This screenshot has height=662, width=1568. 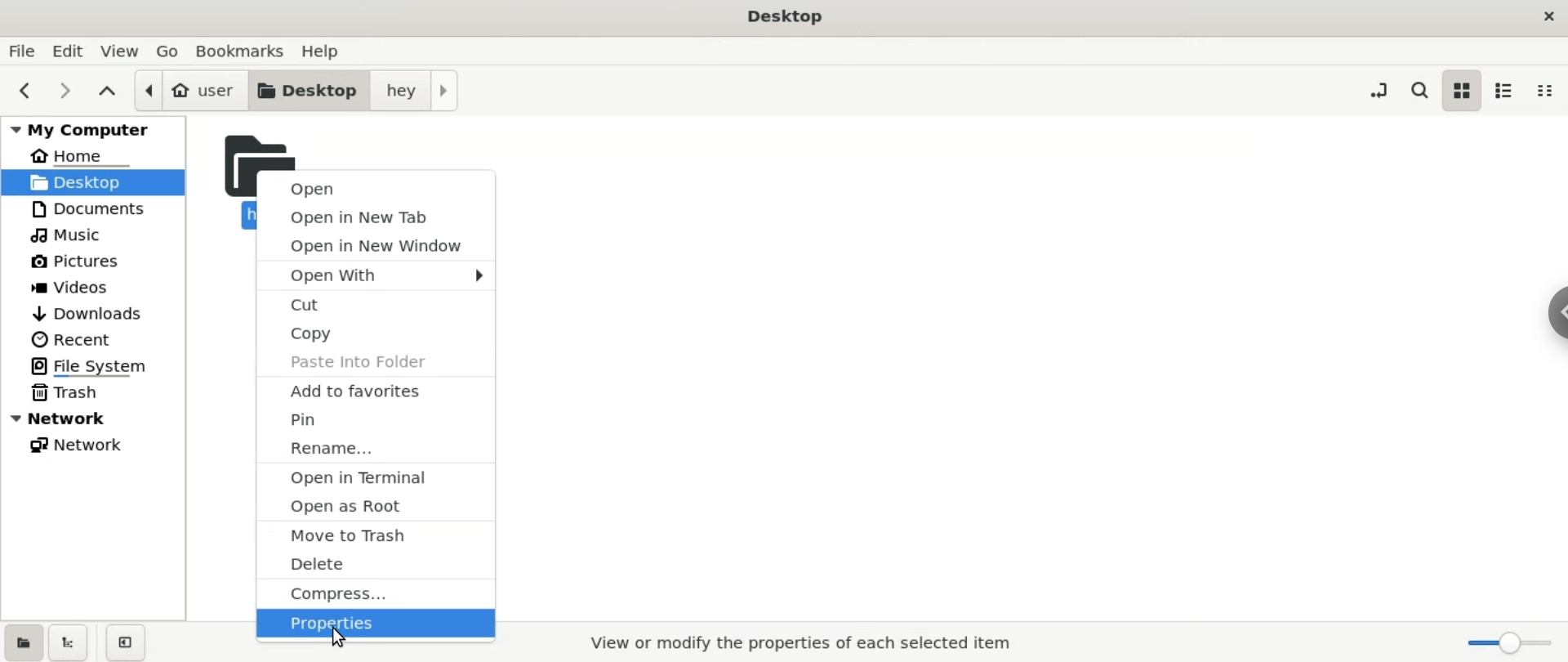 What do you see at coordinates (186, 89) in the screenshot?
I see `user` at bounding box center [186, 89].